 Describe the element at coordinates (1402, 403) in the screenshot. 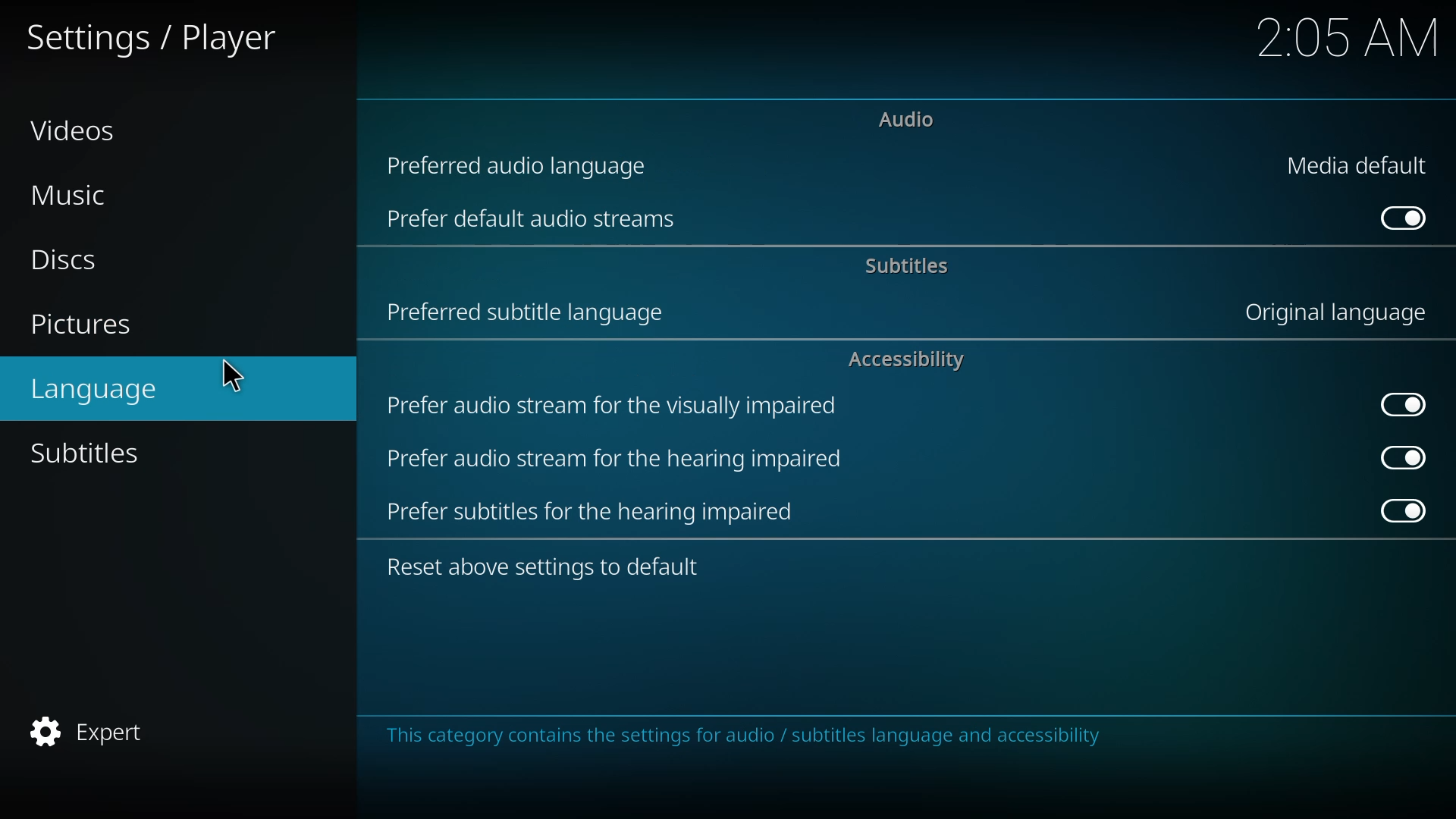

I see `enabled` at that location.